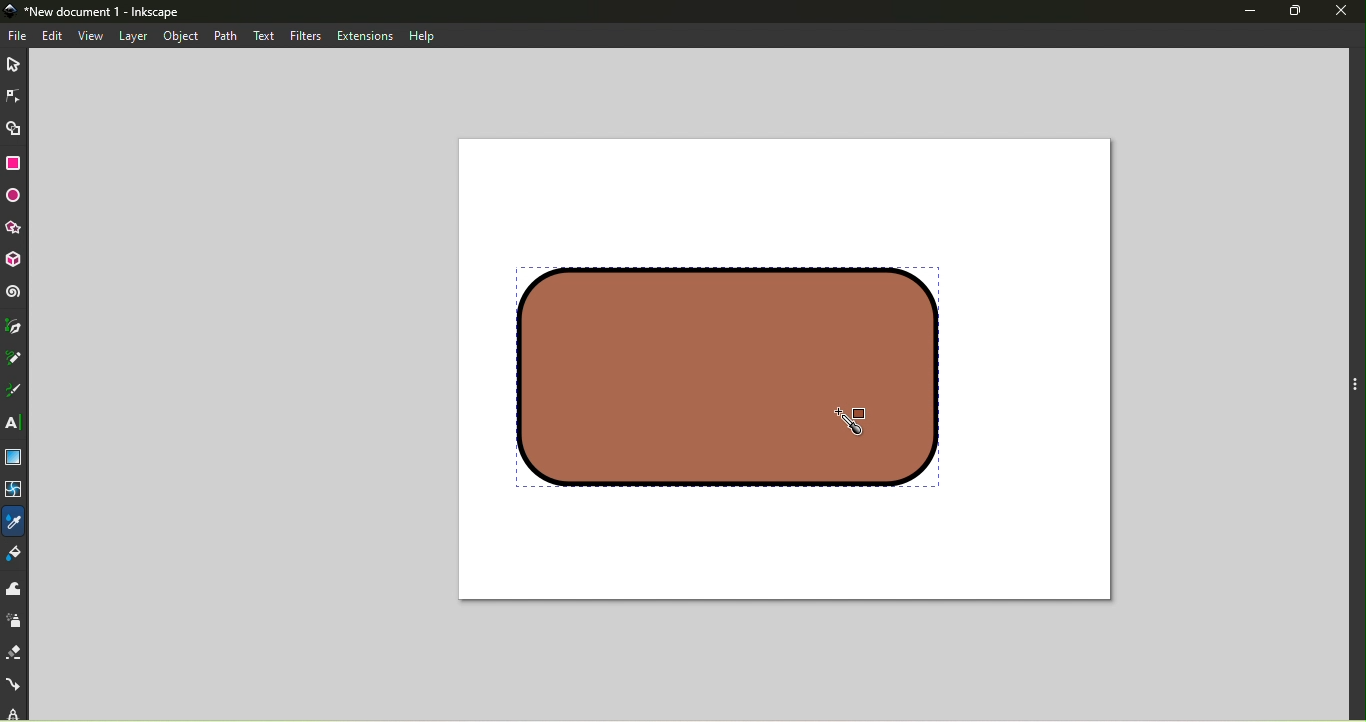 This screenshot has height=722, width=1366. Describe the element at coordinates (90, 36) in the screenshot. I see `View` at that location.